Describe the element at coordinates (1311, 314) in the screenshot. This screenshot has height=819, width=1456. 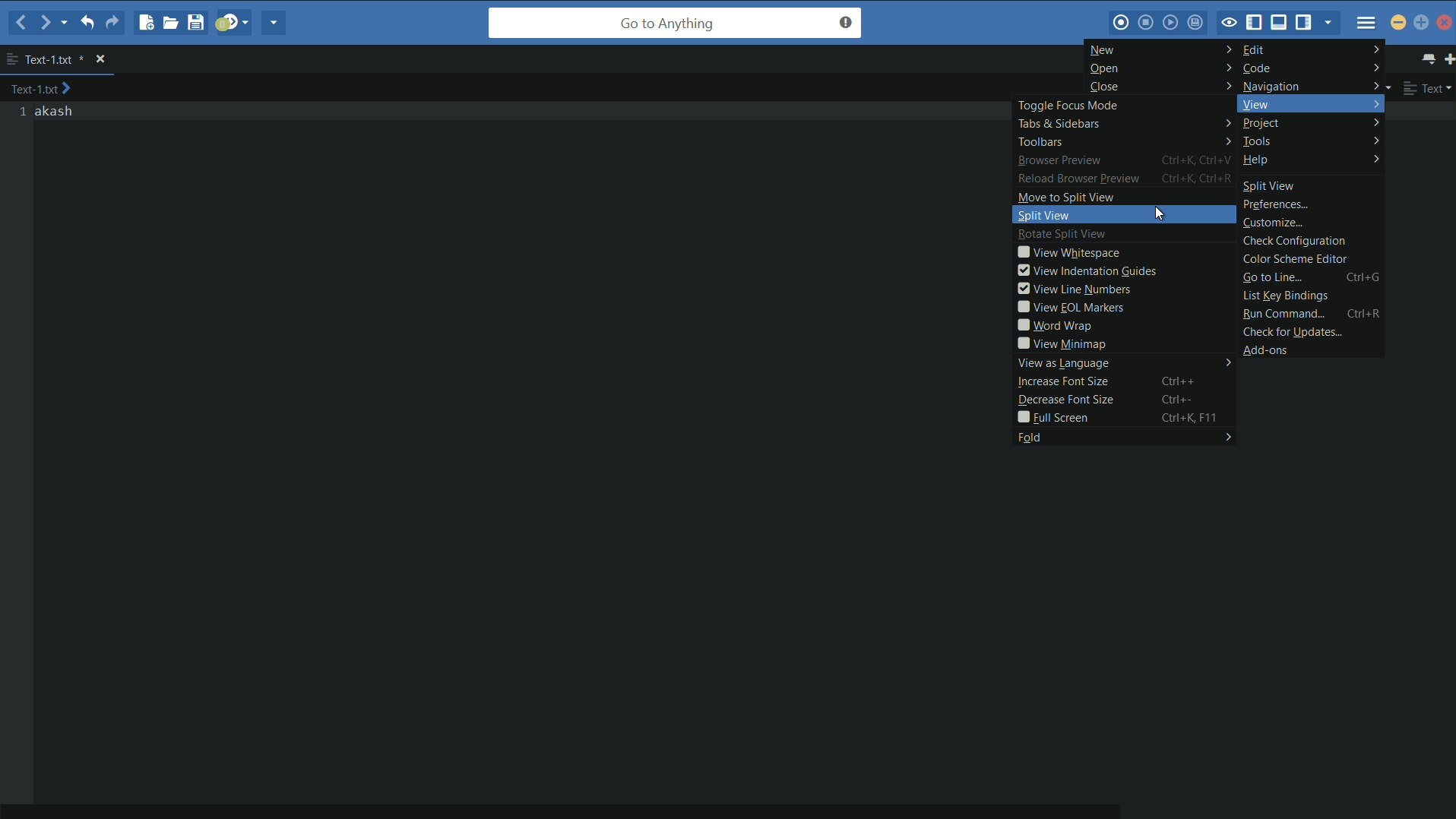
I see `run command` at that location.